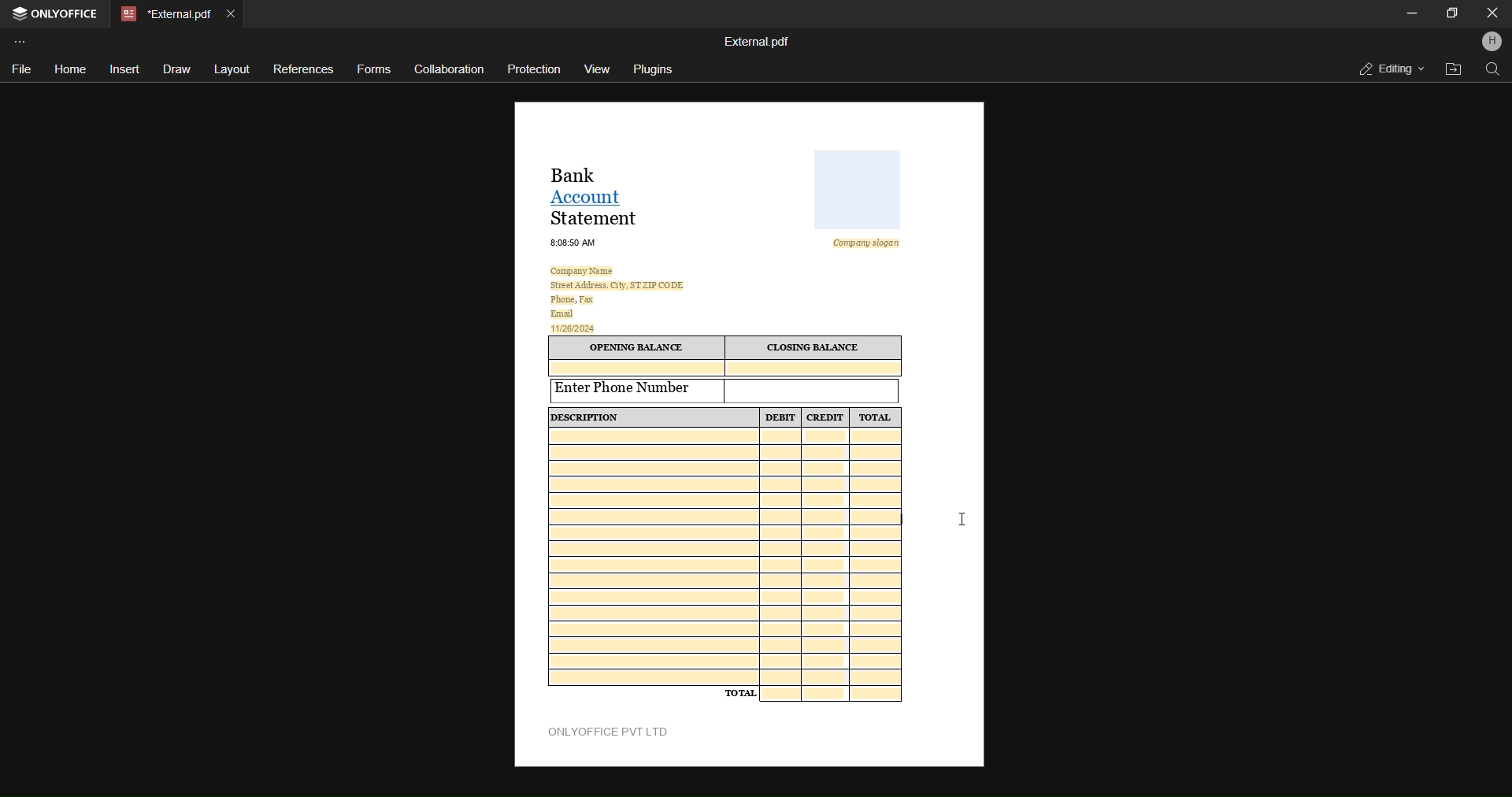 Image resolution: width=1512 pixels, height=797 pixels. What do you see at coordinates (124, 69) in the screenshot?
I see `insert` at bounding box center [124, 69].